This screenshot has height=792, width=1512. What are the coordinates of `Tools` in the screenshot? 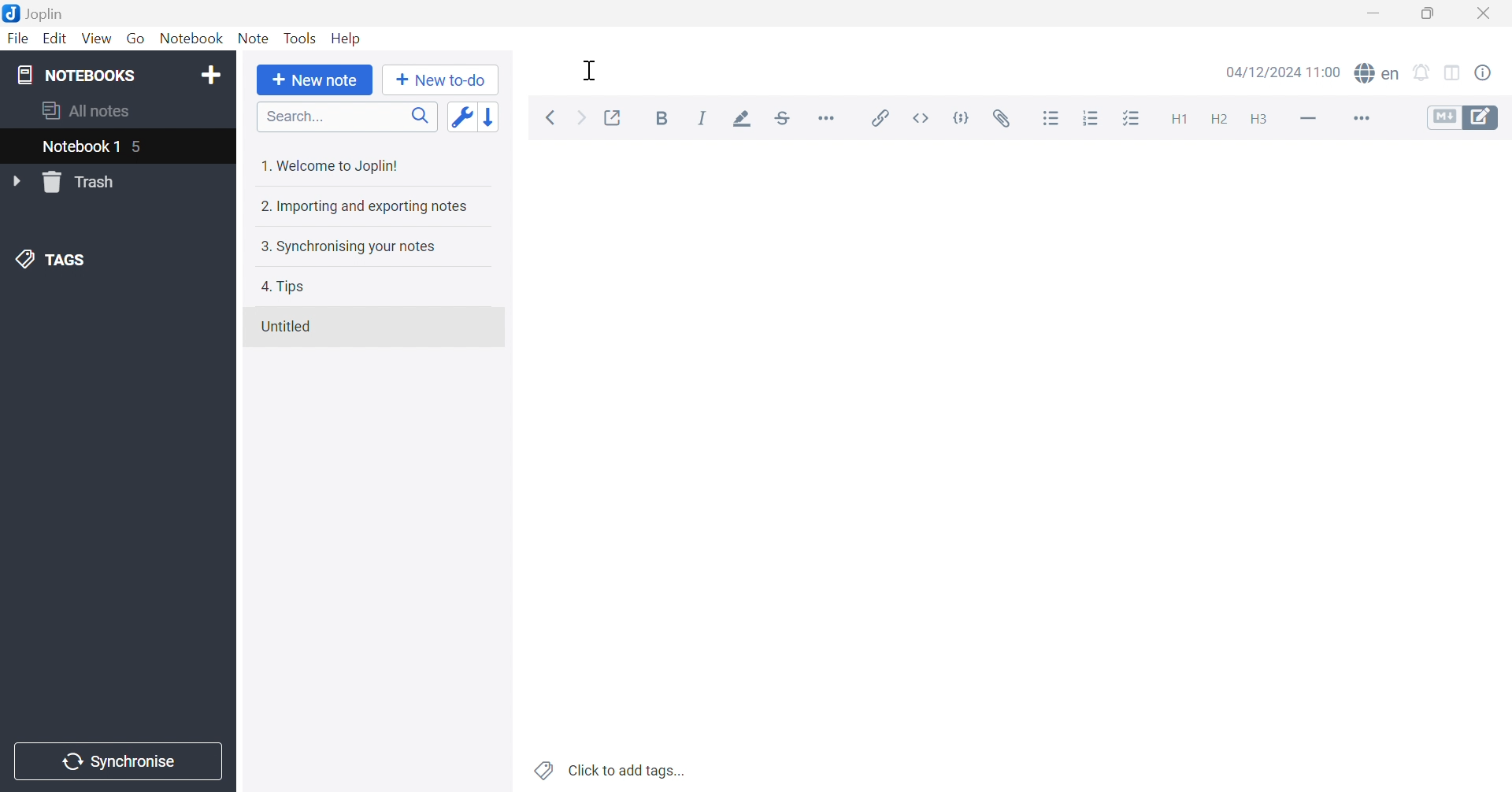 It's located at (302, 37).